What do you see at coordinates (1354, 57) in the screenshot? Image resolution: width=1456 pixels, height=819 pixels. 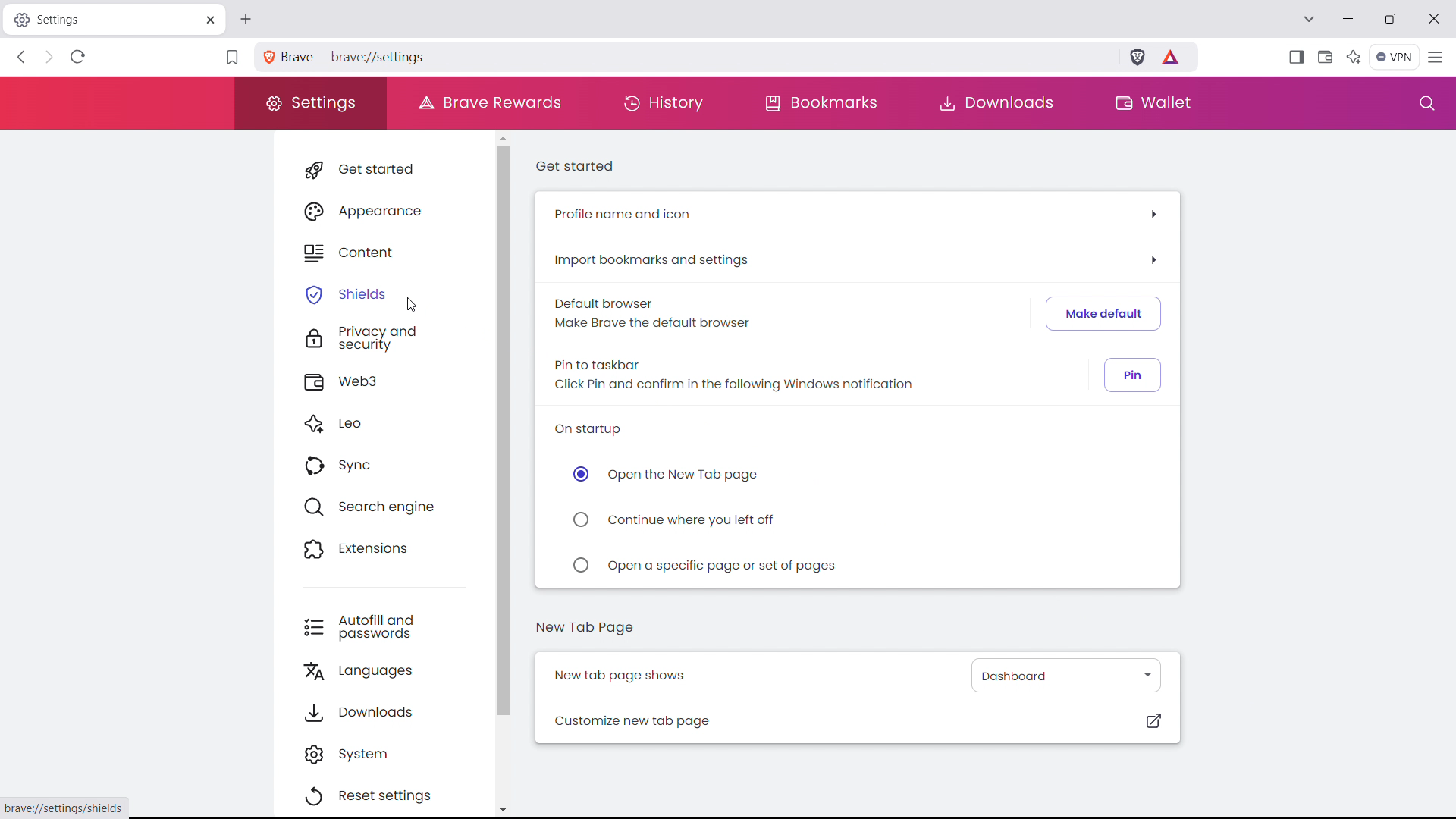 I see `leo AI` at bounding box center [1354, 57].